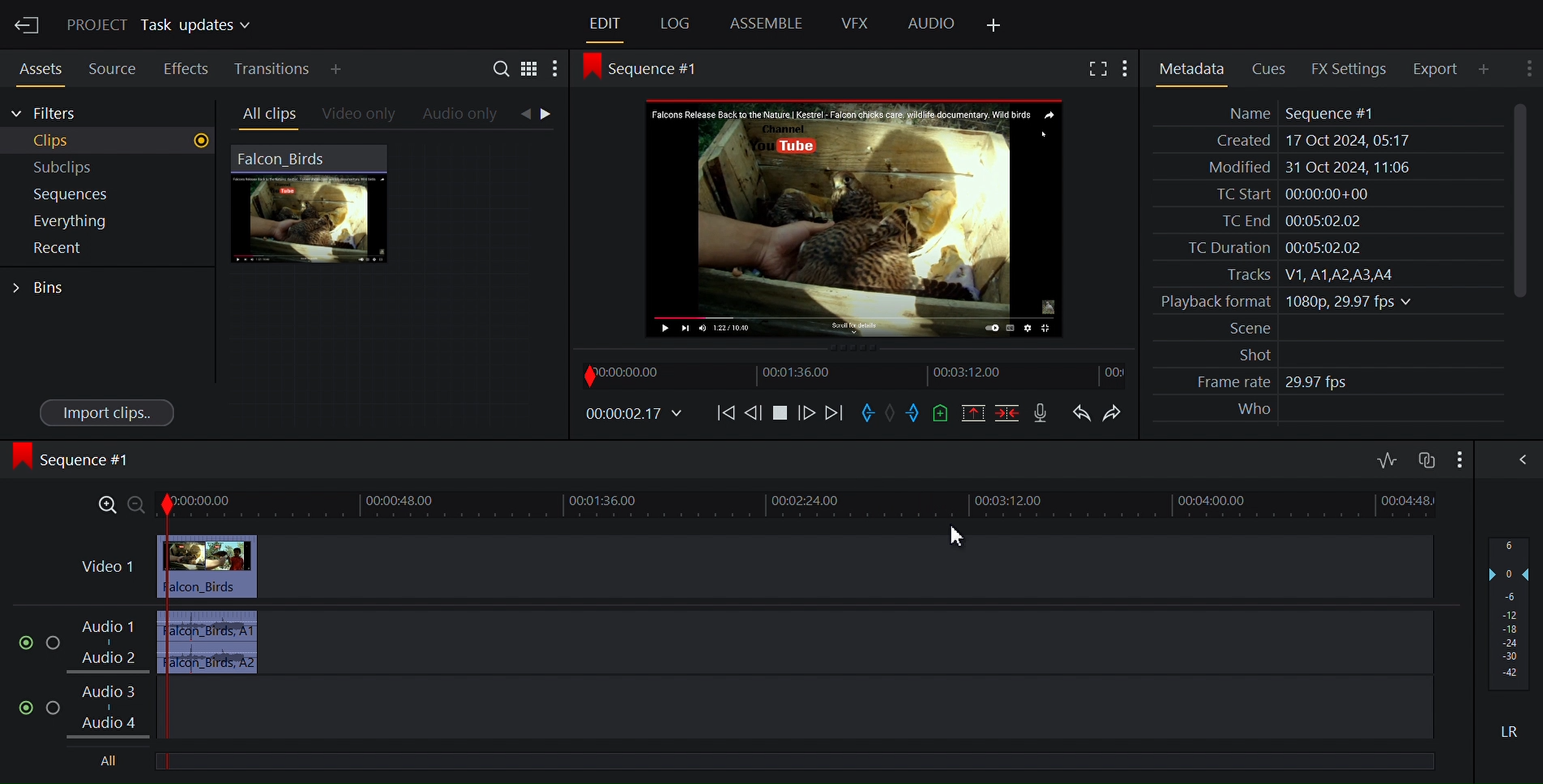 Image resolution: width=1543 pixels, height=784 pixels. I want to click on Assemble, so click(765, 24).